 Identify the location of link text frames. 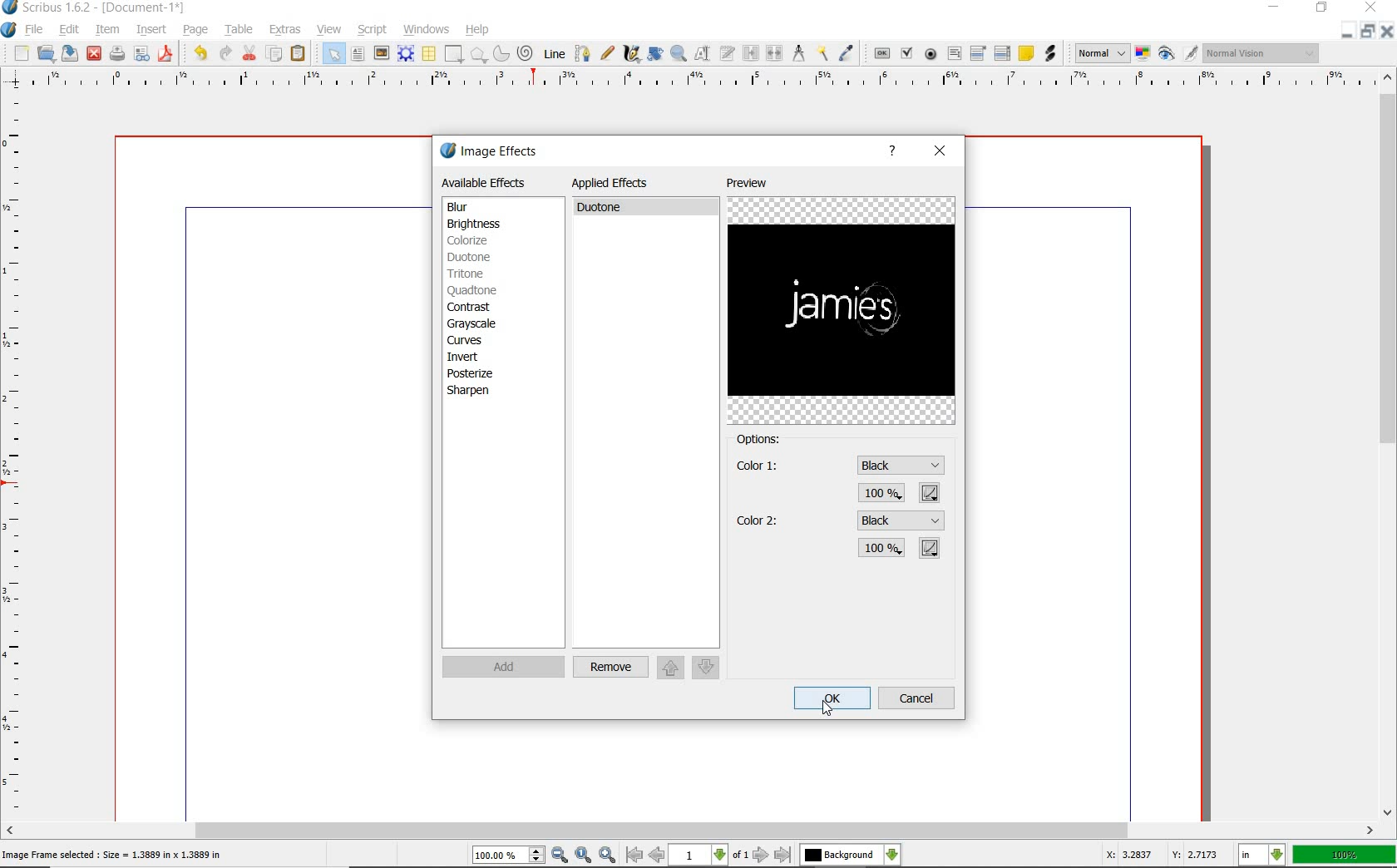
(752, 52).